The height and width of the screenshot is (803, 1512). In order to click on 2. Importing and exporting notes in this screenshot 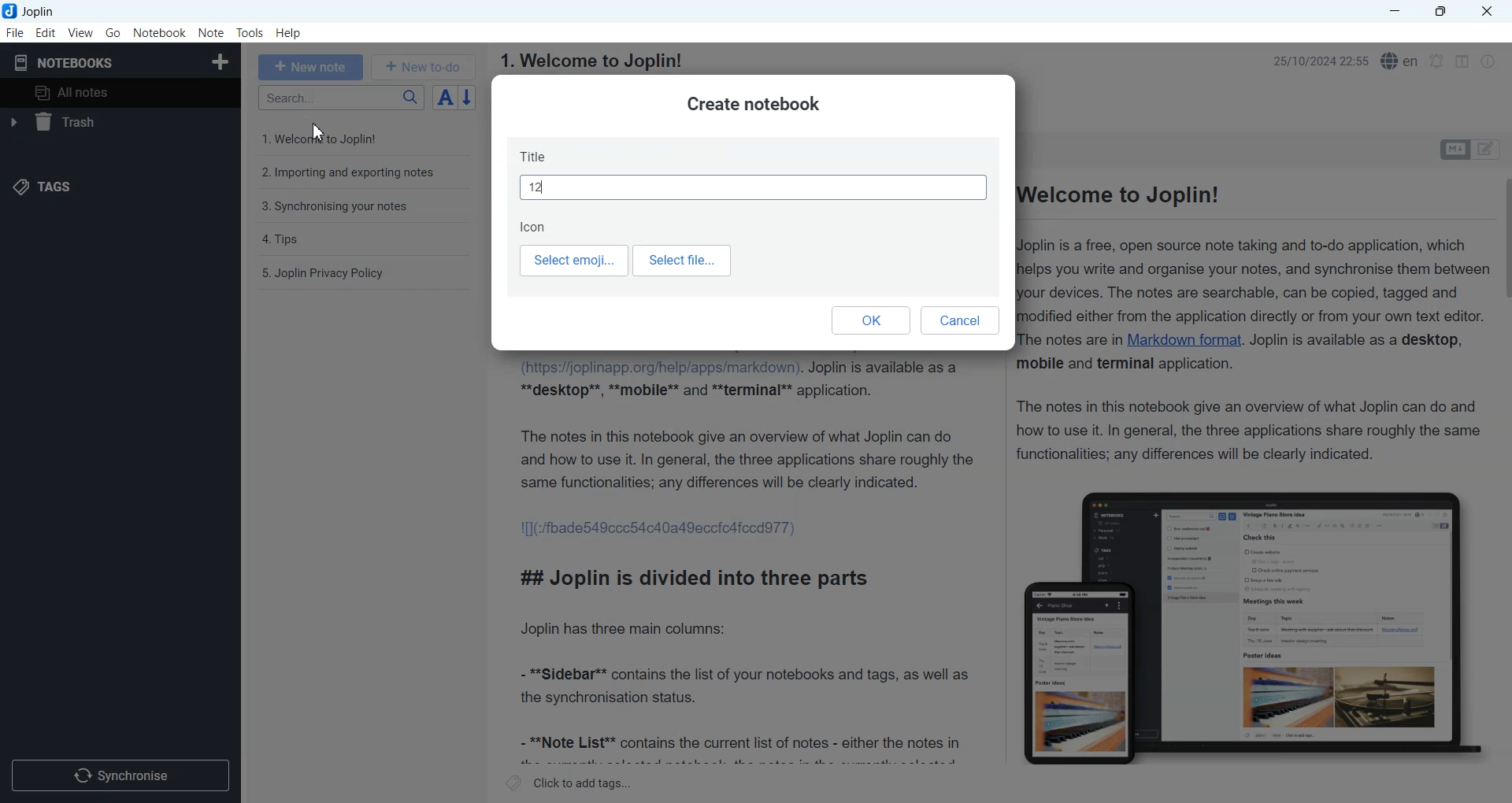, I will do `click(350, 175)`.